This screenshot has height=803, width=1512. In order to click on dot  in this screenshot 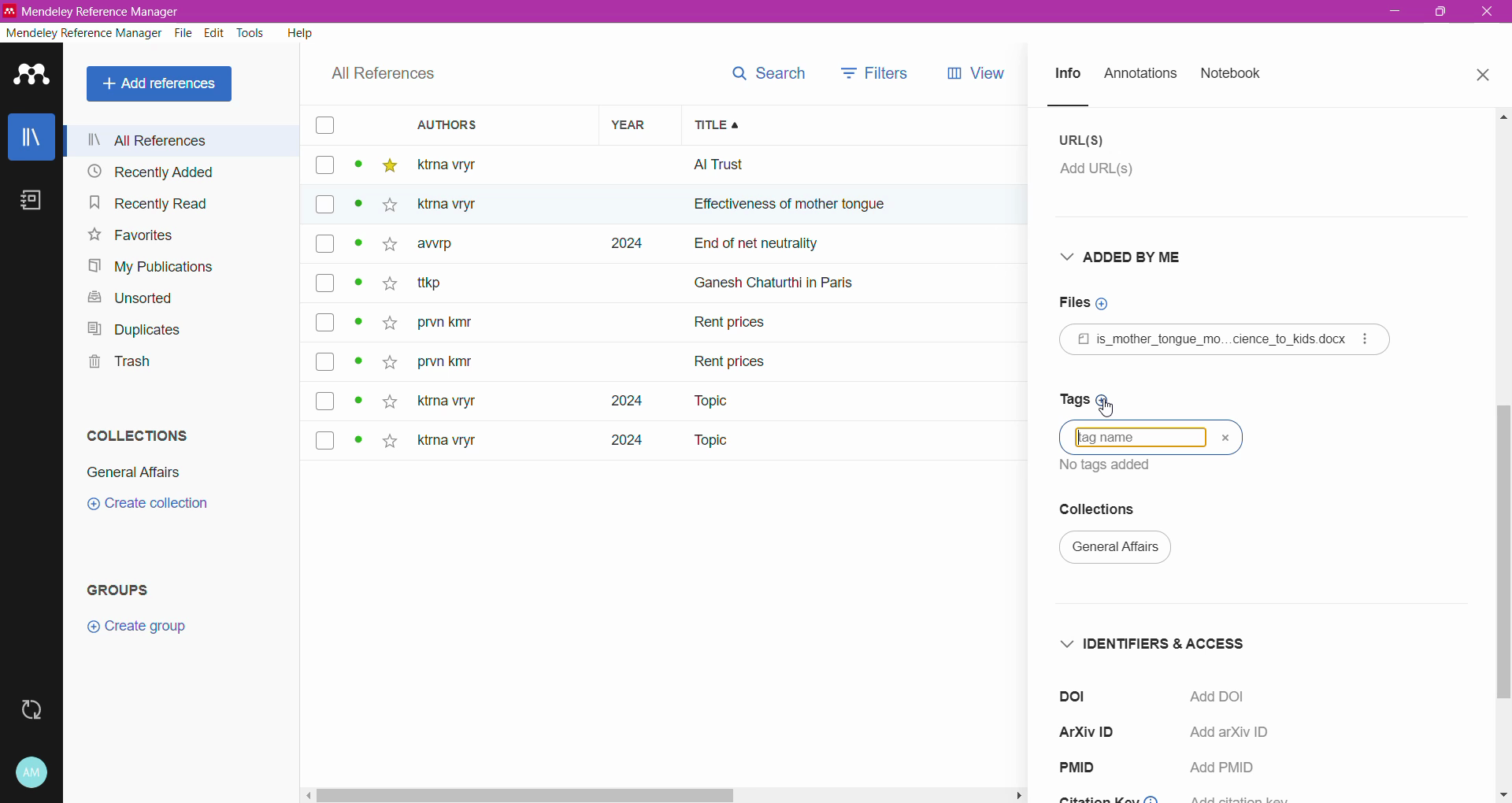, I will do `click(354, 209)`.